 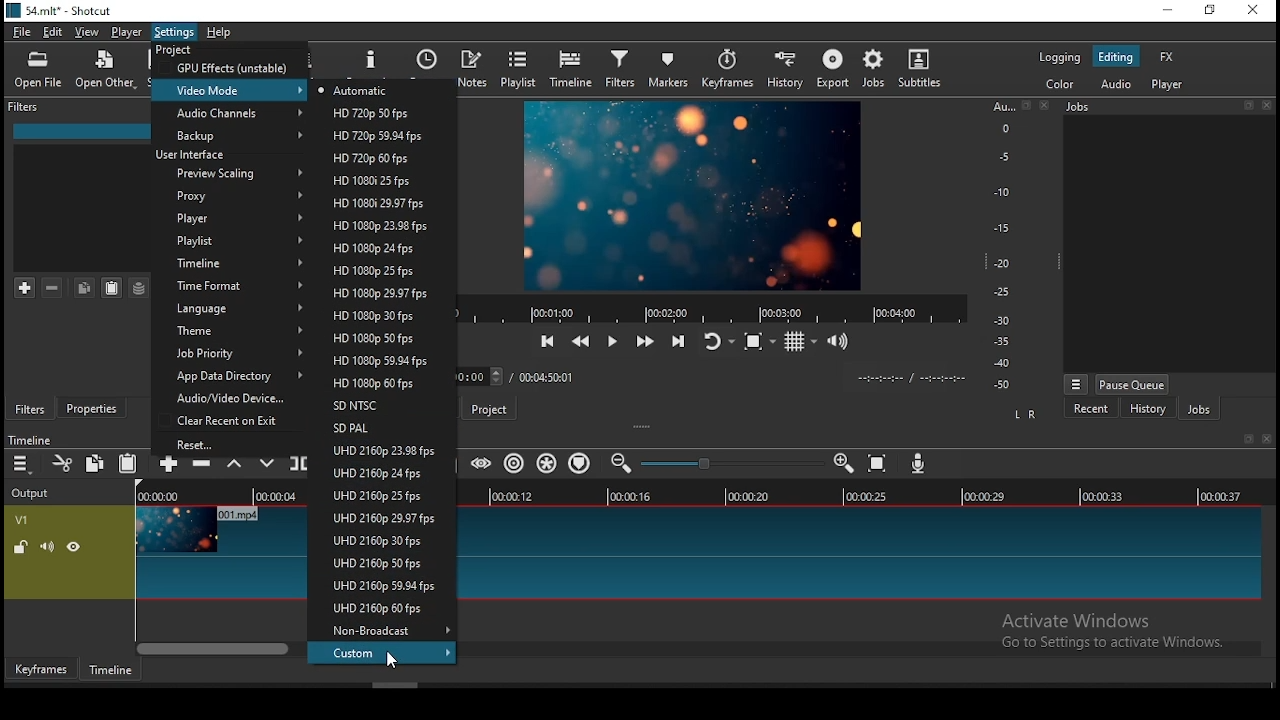 I want to click on total time, so click(x=545, y=379).